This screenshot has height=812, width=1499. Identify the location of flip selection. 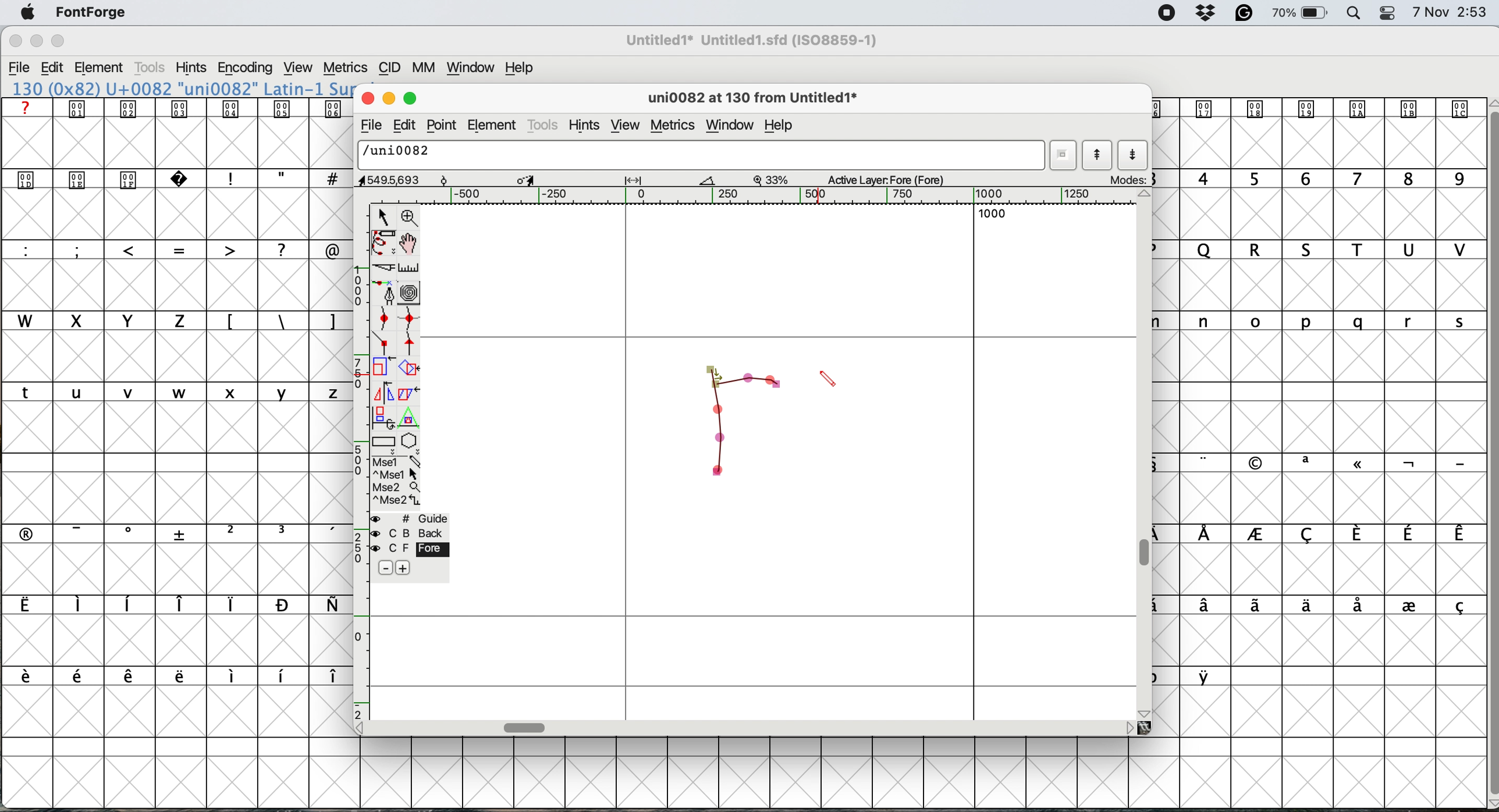
(382, 394).